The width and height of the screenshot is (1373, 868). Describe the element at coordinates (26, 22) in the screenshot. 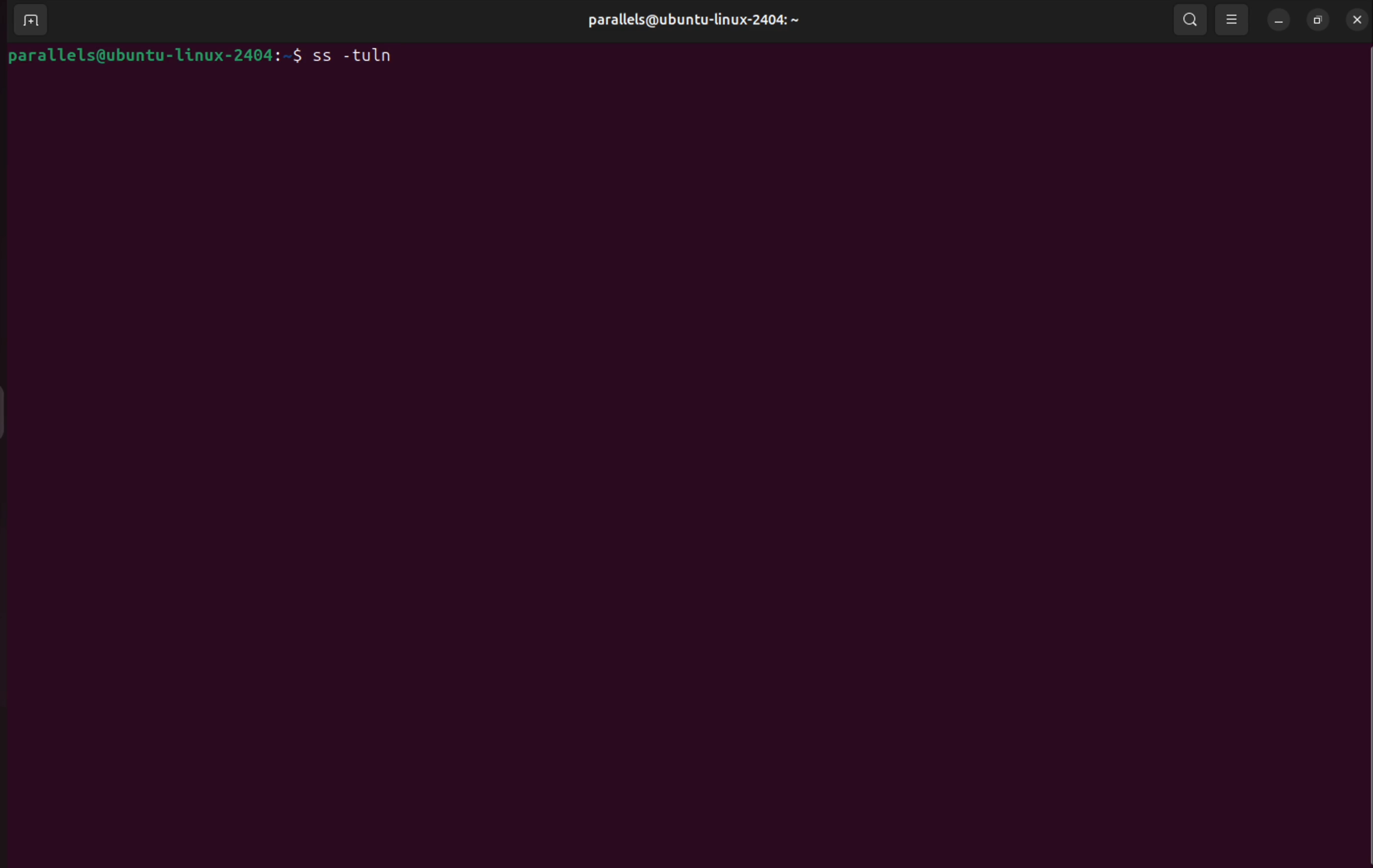

I see `add terminal` at that location.